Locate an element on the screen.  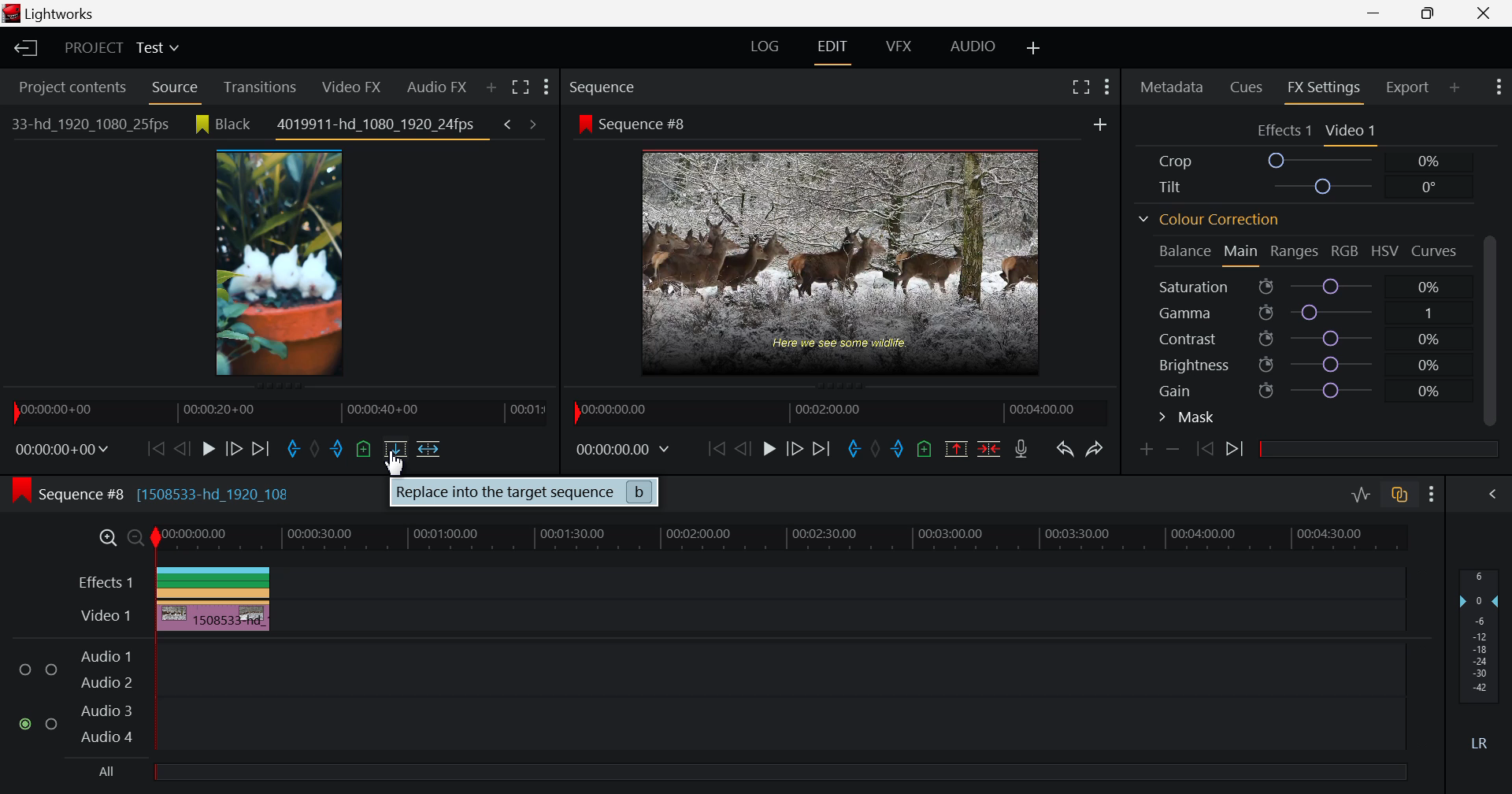
Add Layout is located at coordinates (1031, 47).